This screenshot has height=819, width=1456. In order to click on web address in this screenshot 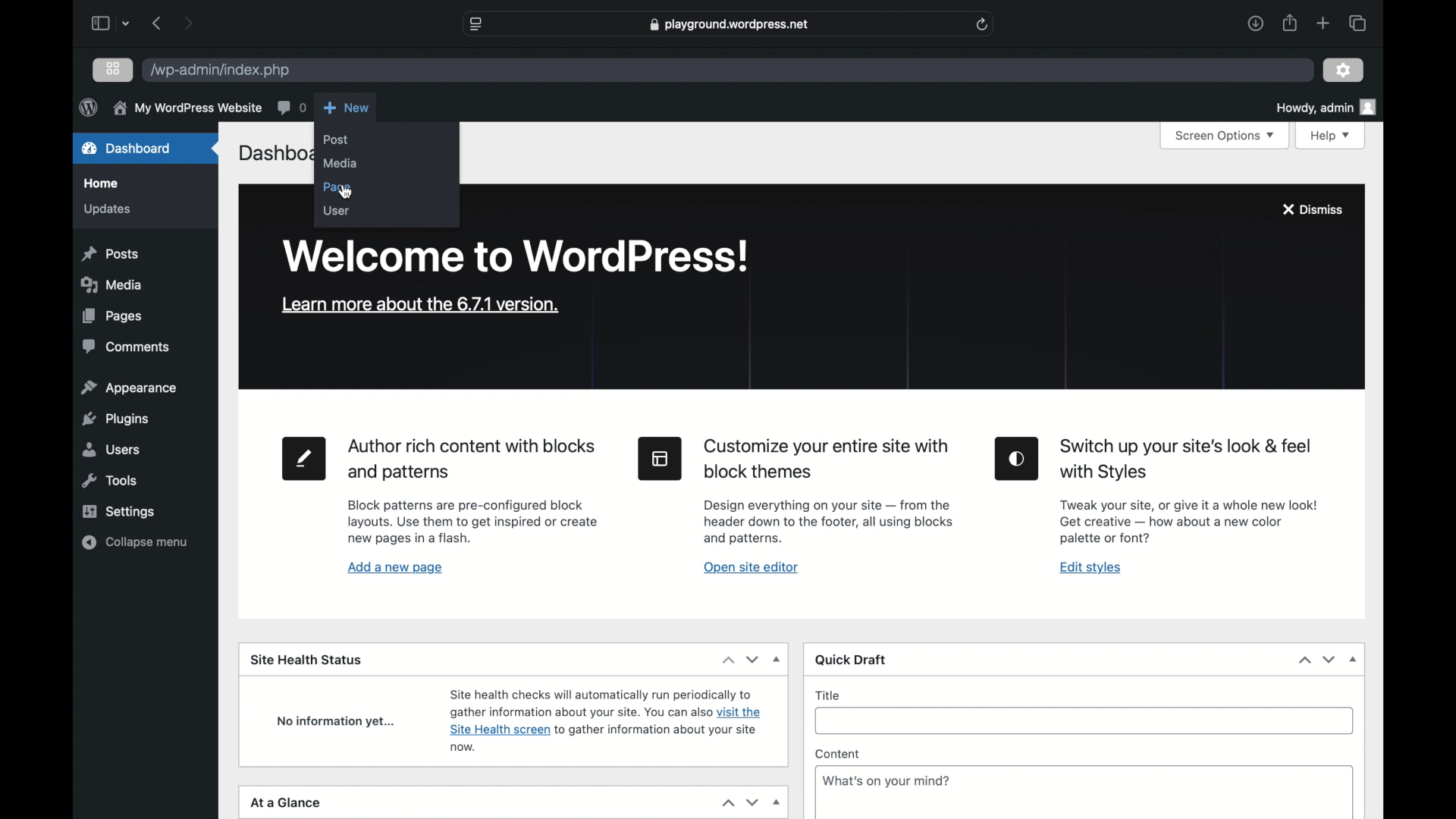, I will do `click(730, 24)`.